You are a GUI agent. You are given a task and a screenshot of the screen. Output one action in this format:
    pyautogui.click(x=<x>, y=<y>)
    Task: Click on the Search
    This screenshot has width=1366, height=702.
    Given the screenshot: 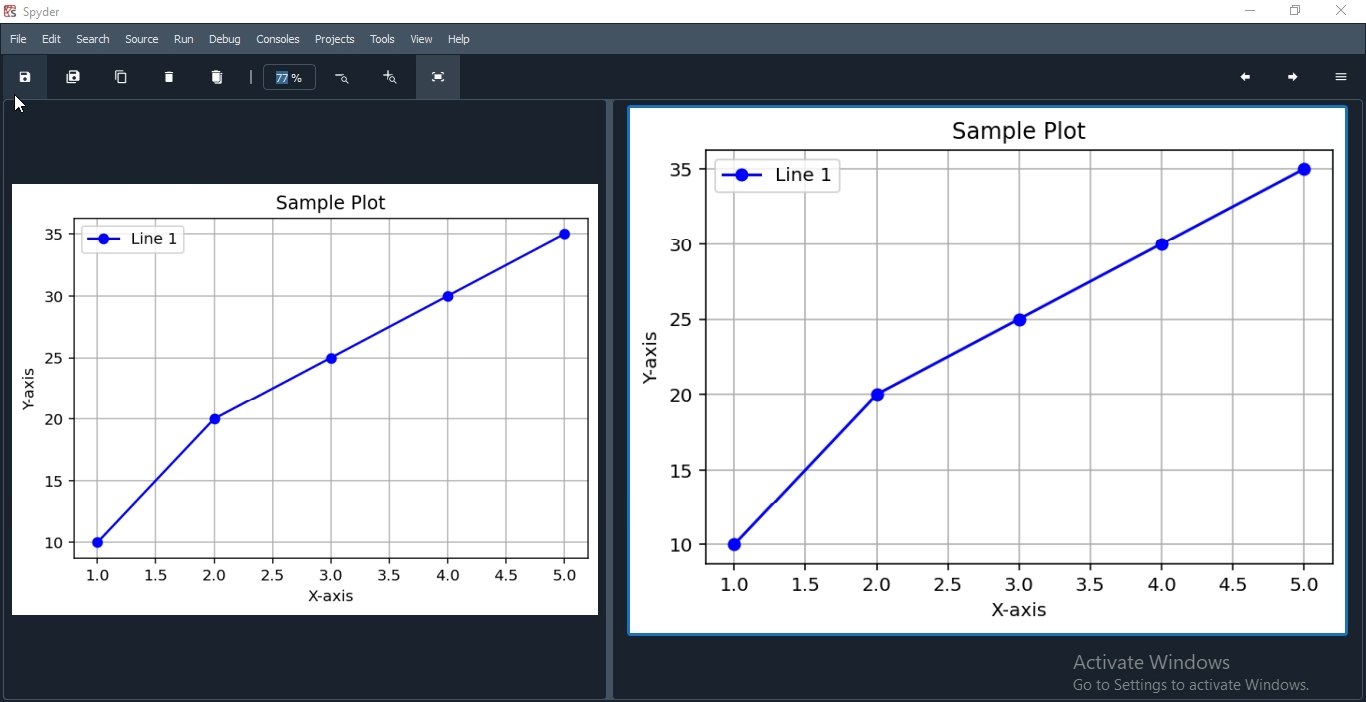 What is the action you would take?
    pyautogui.click(x=93, y=38)
    